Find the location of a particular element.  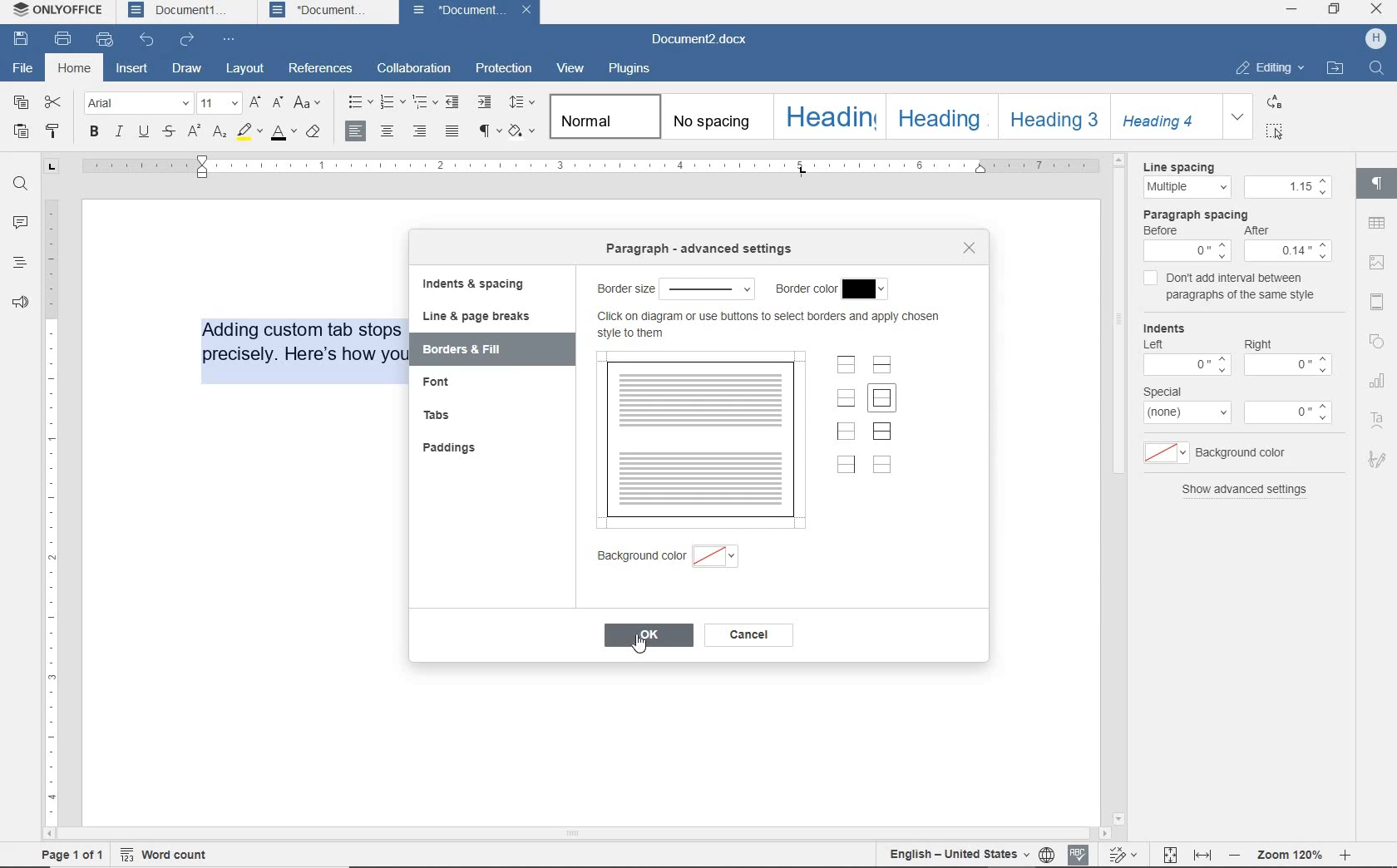

background is located at coordinates (639, 555).